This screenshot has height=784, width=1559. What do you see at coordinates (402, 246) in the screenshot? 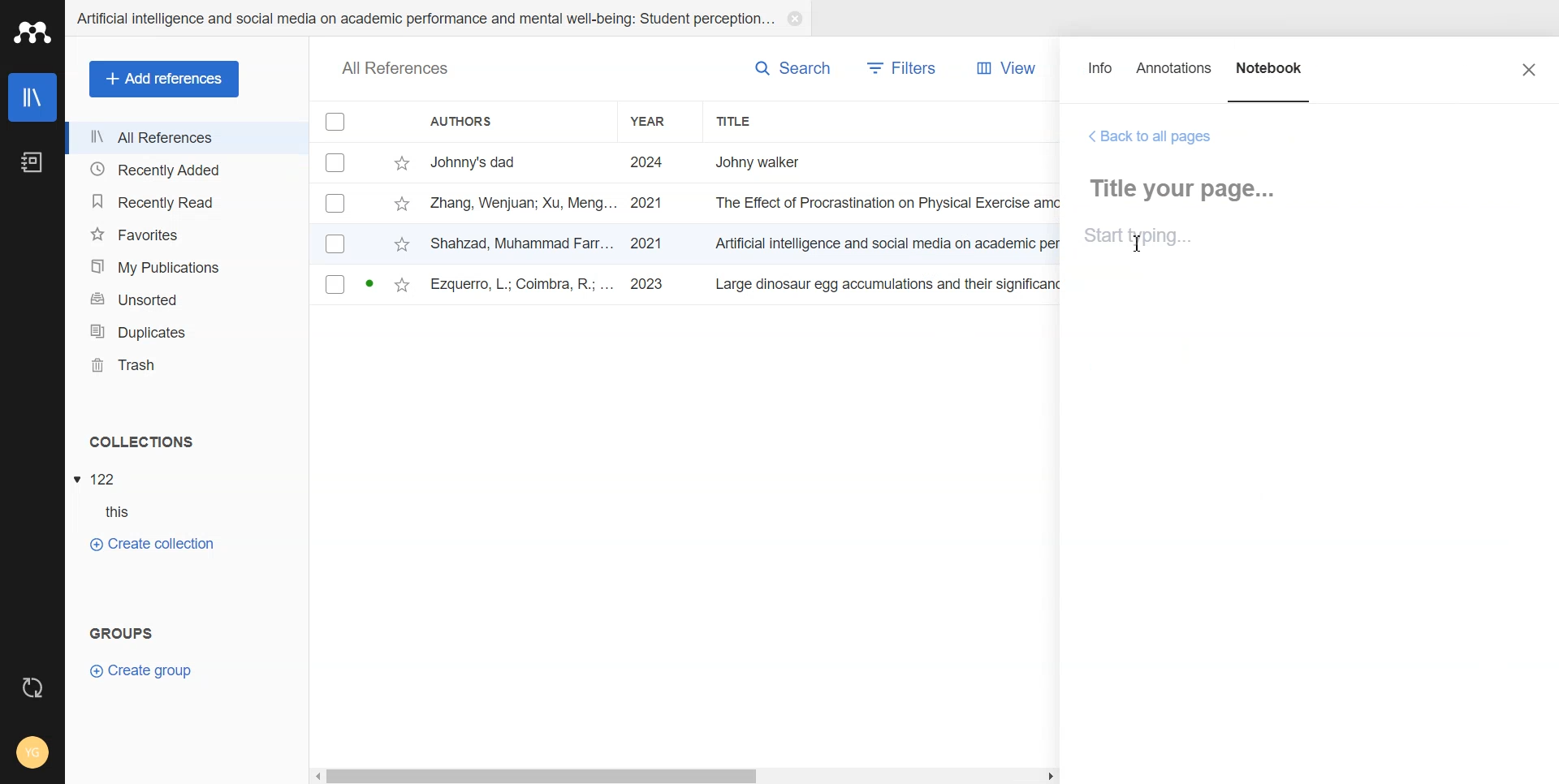
I see `star` at bounding box center [402, 246].